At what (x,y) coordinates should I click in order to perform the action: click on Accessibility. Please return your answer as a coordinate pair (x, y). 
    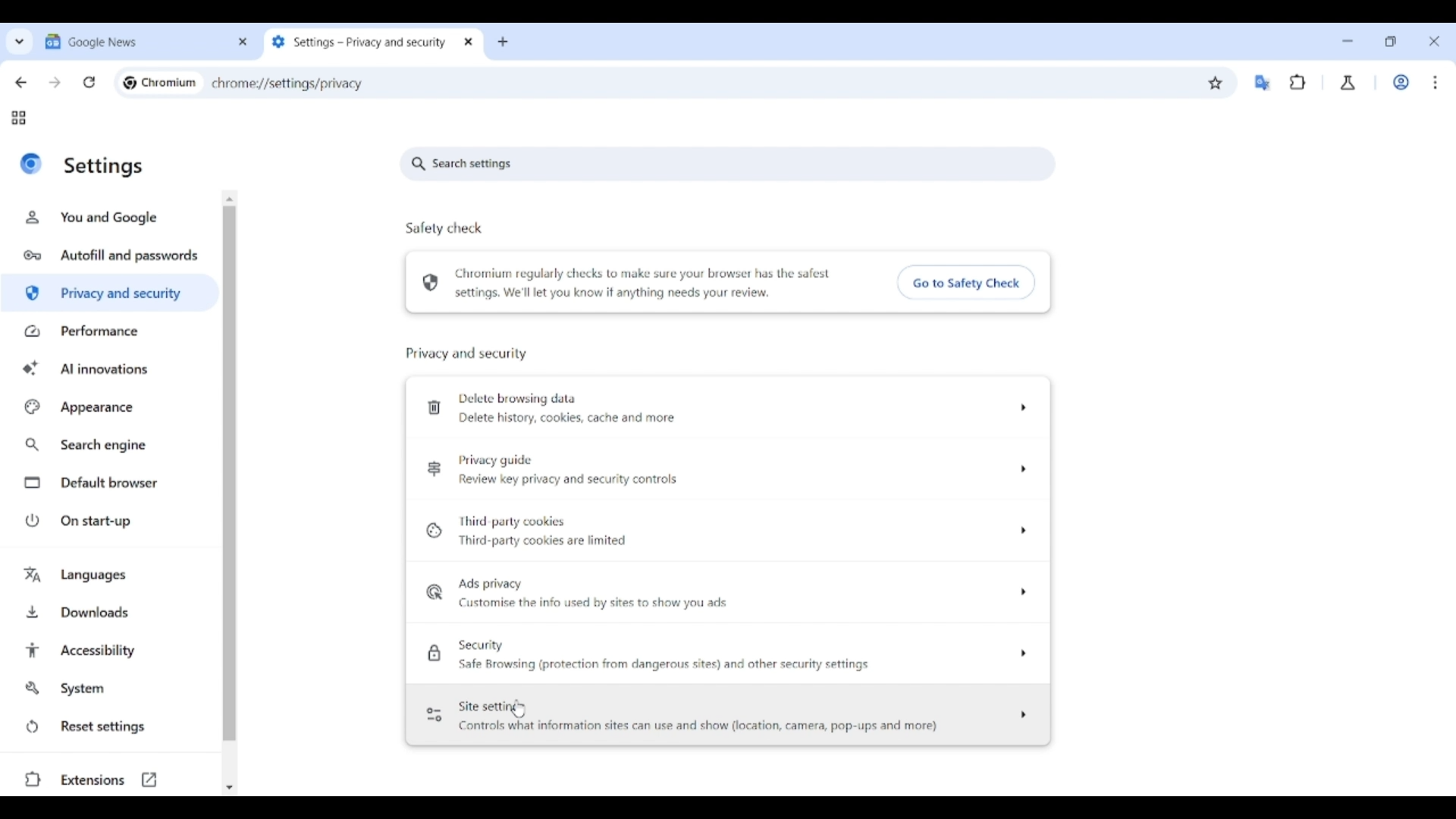
    Looking at the image, I should click on (111, 651).